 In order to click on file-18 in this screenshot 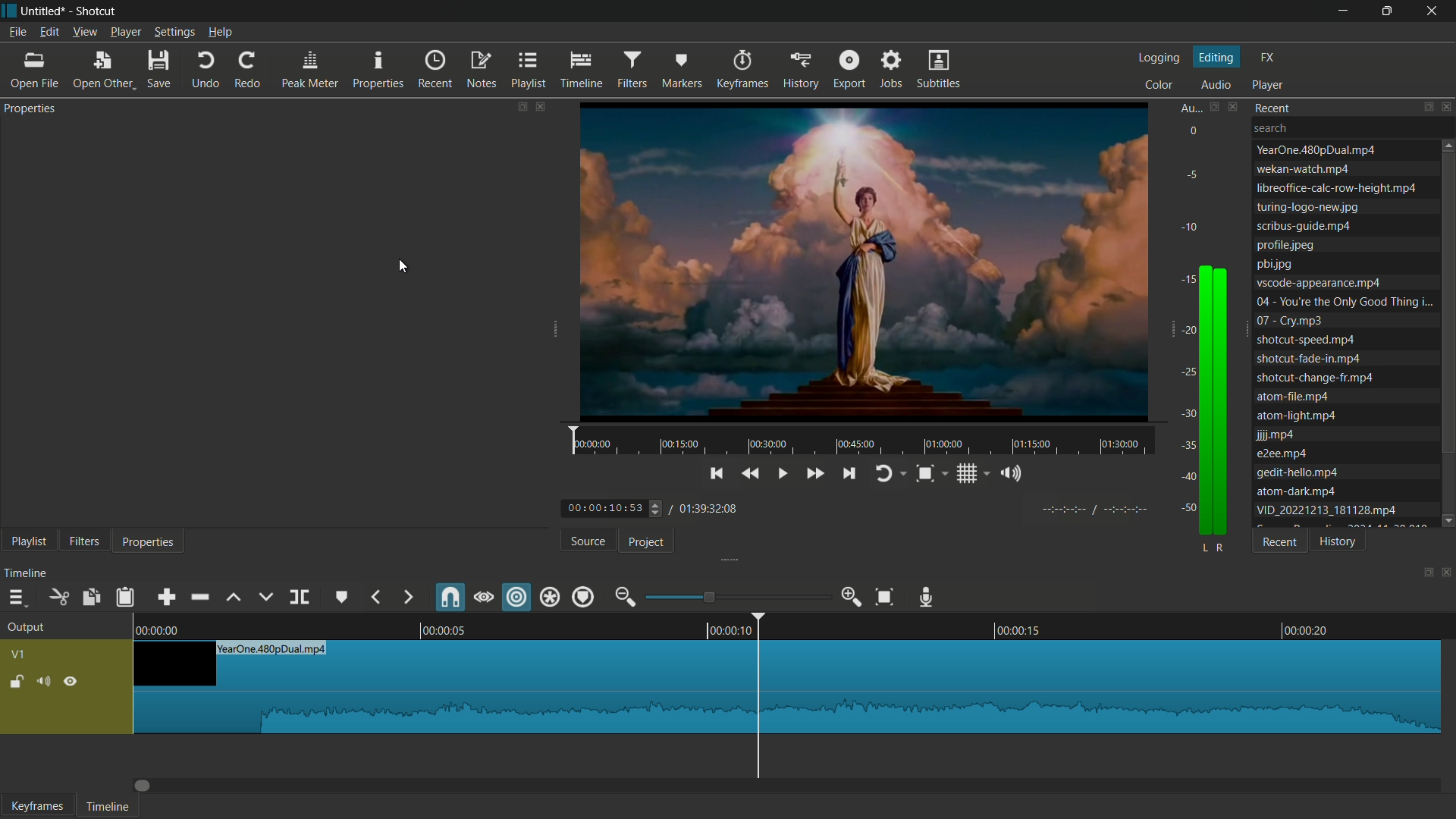, I will do `click(1297, 472)`.